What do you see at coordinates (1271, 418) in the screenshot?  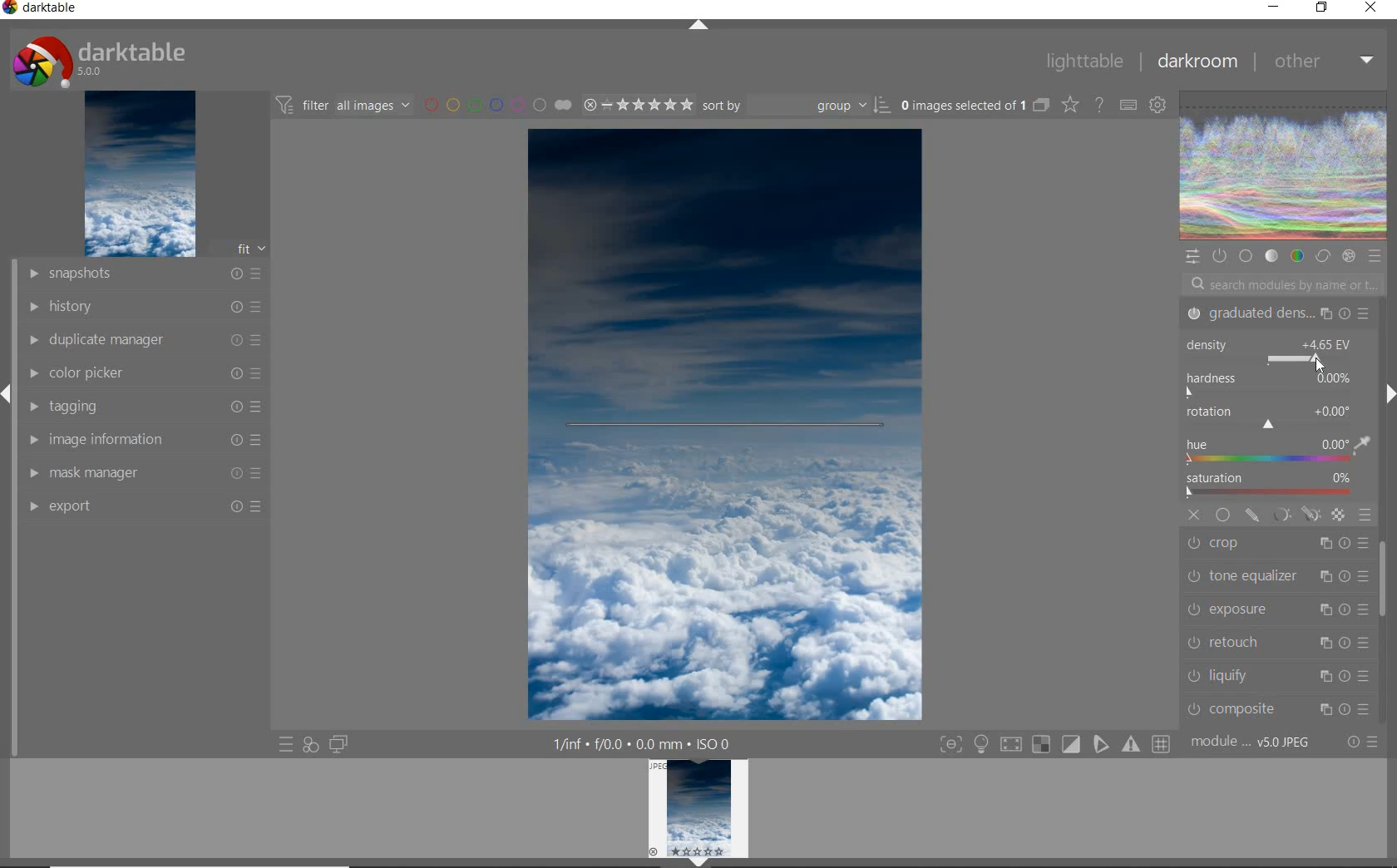 I see `ROTATION` at bounding box center [1271, 418].